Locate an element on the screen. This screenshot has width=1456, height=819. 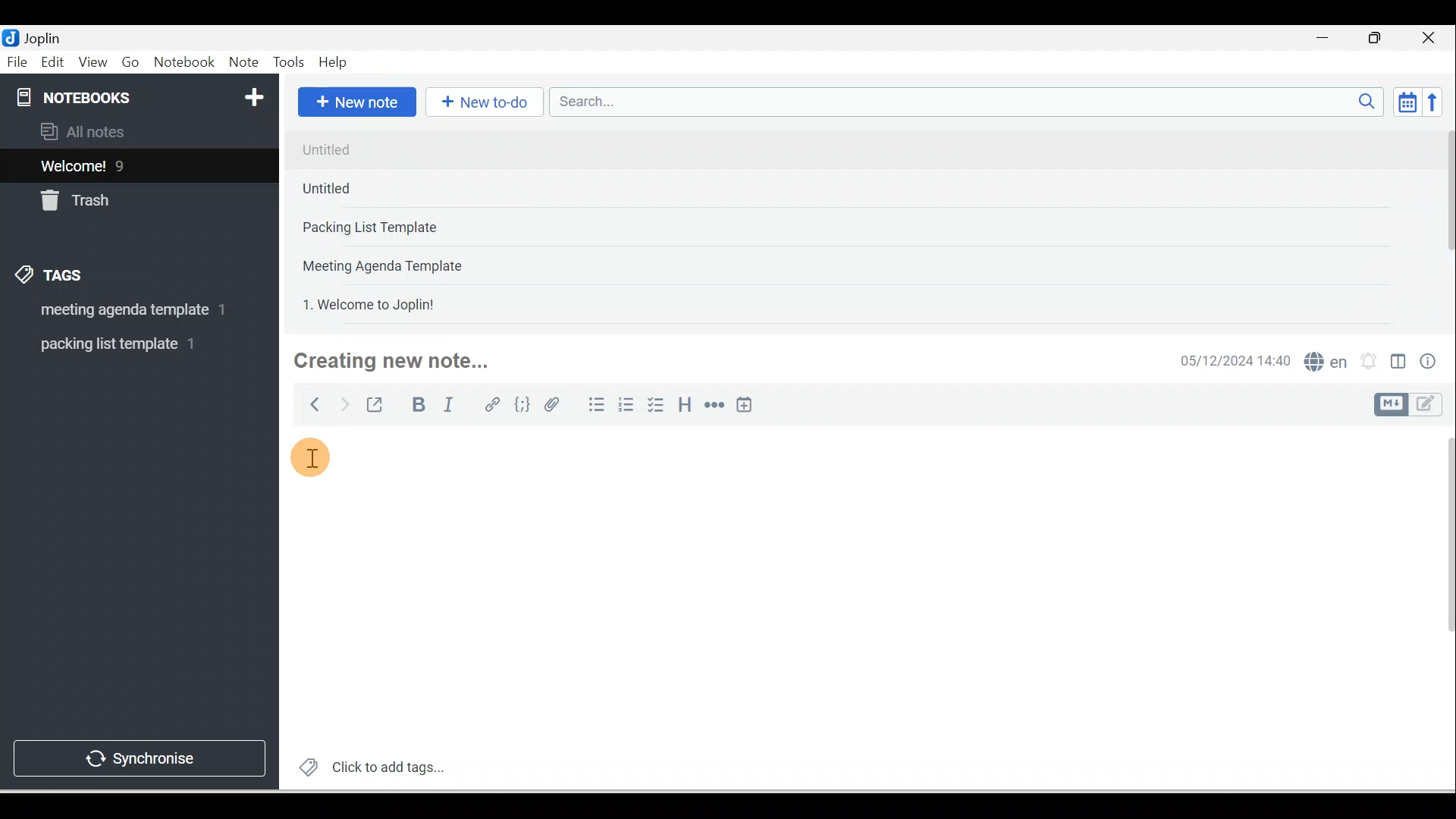
Hyperlink is located at coordinates (491, 406).